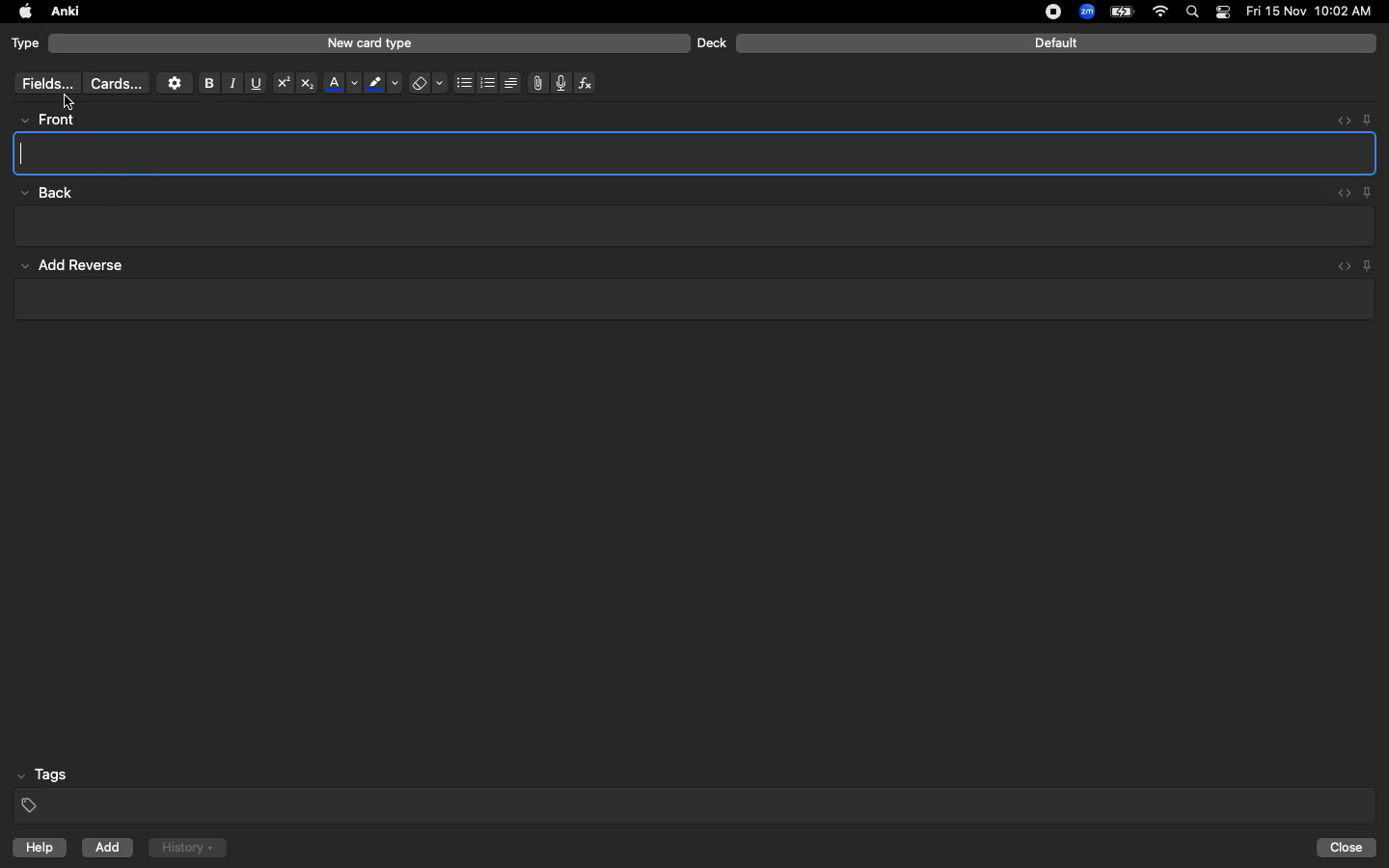  What do you see at coordinates (1367, 119) in the screenshot?
I see `Pin` at bounding box center [1367, 119].